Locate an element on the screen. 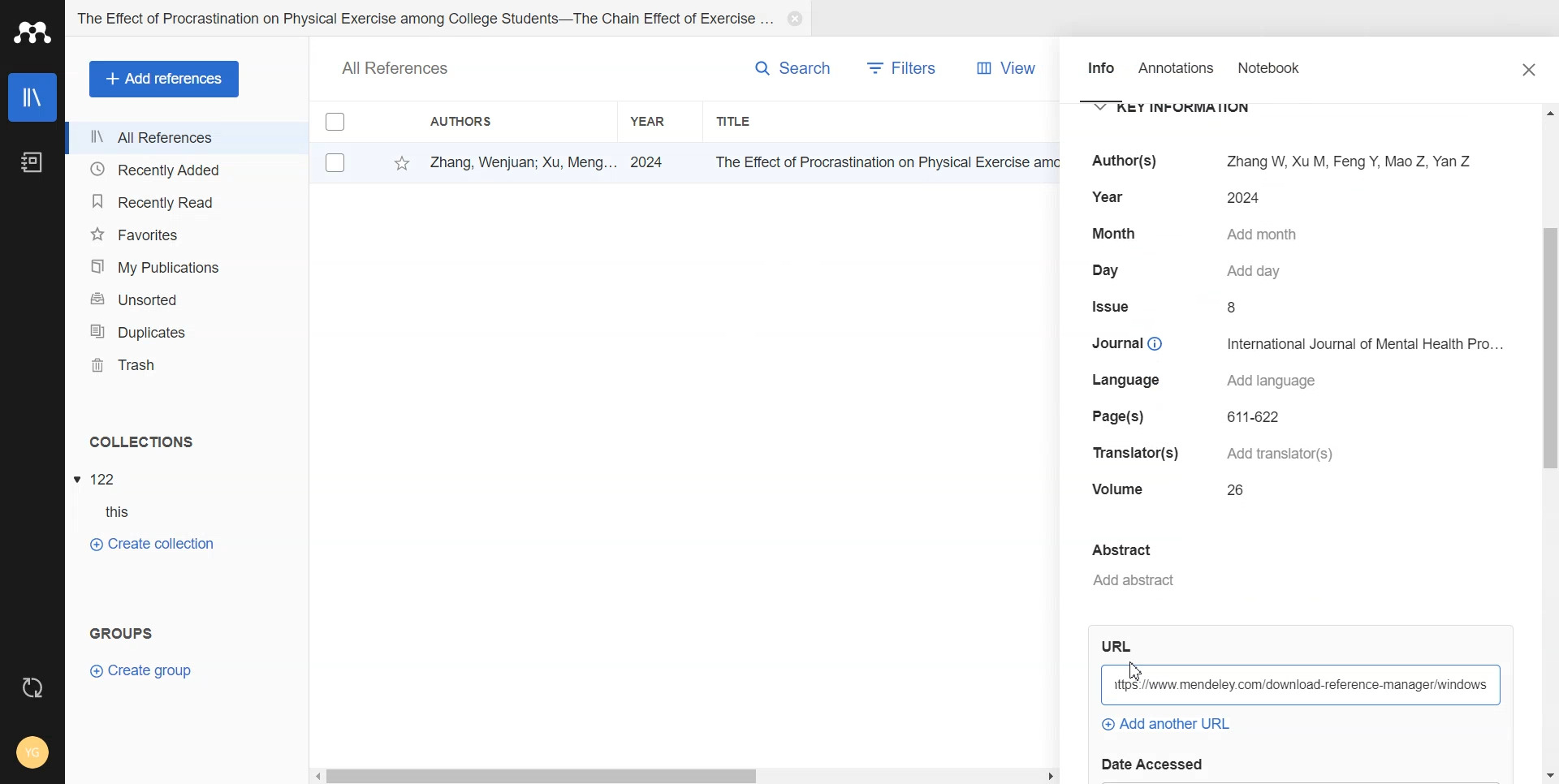 The width and height of the screenshot is (1559, 784). Notebook is located at coordinates (1282, 75).